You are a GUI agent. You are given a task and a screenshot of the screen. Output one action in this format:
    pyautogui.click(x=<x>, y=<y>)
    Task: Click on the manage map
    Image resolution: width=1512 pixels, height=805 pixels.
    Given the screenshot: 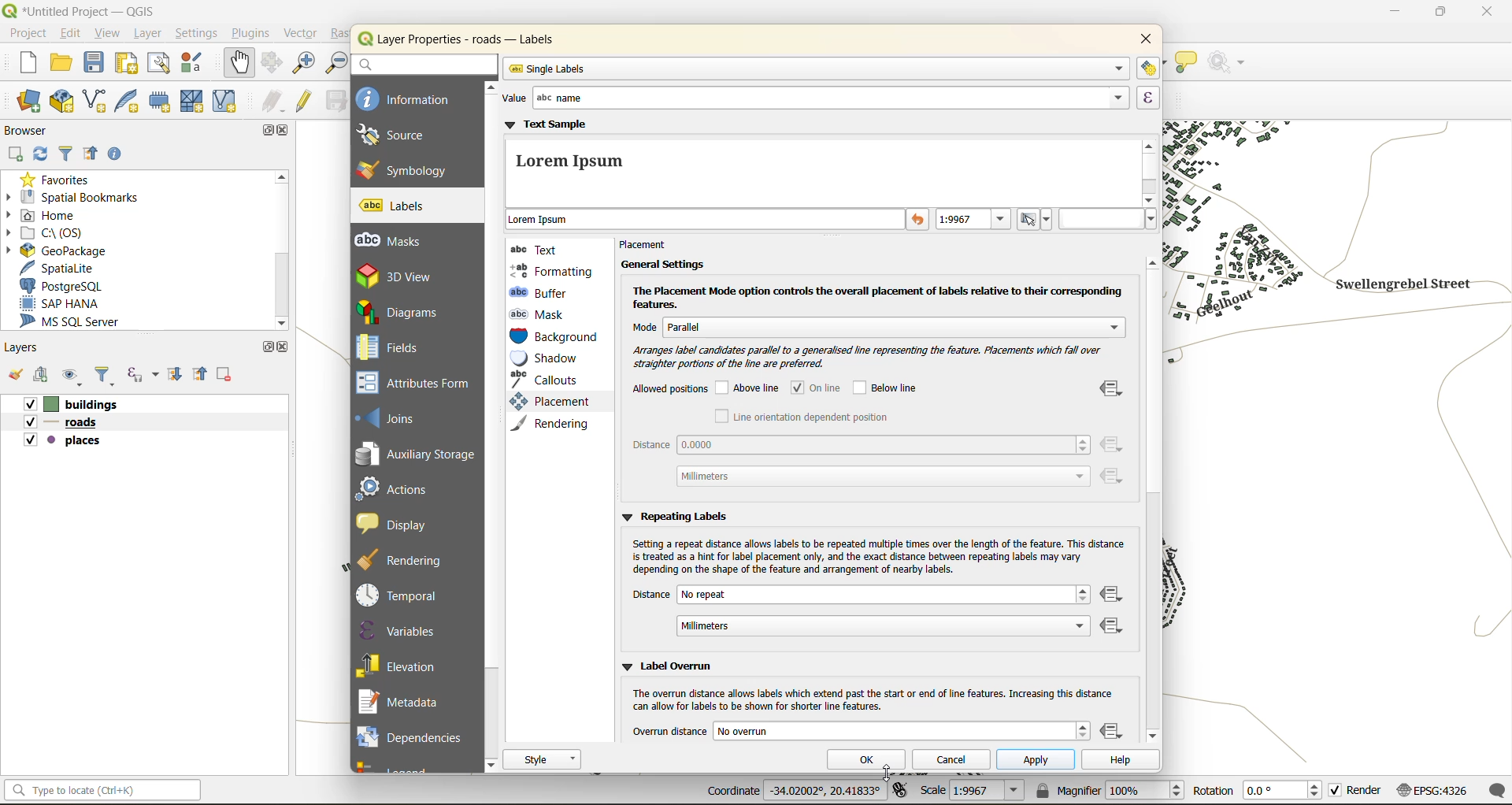 What is the action you would take?
    pyautogui.click(x=74, y=376)
    